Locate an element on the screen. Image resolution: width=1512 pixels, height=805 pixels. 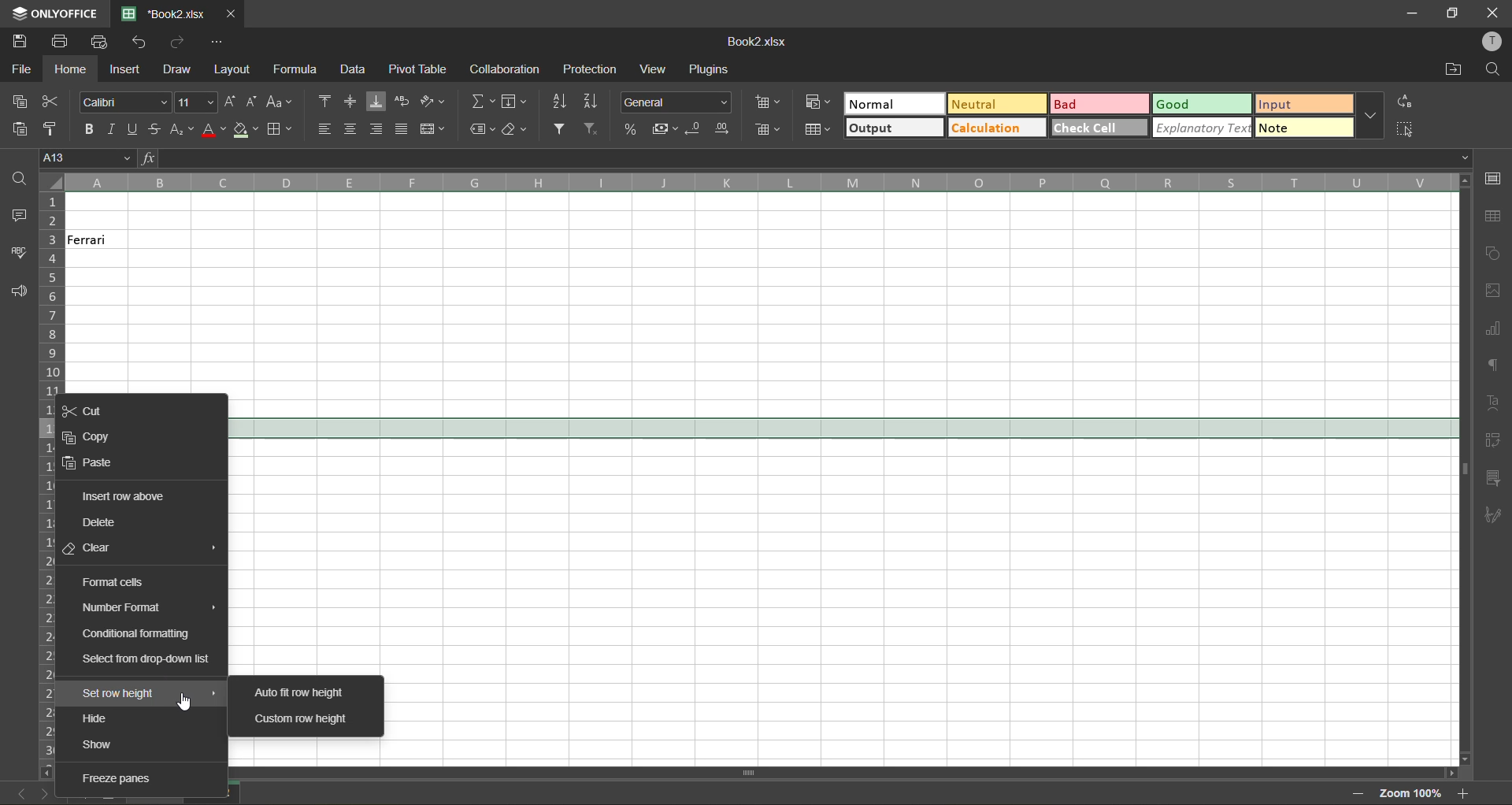
filter is located at coordinates (563, 129).